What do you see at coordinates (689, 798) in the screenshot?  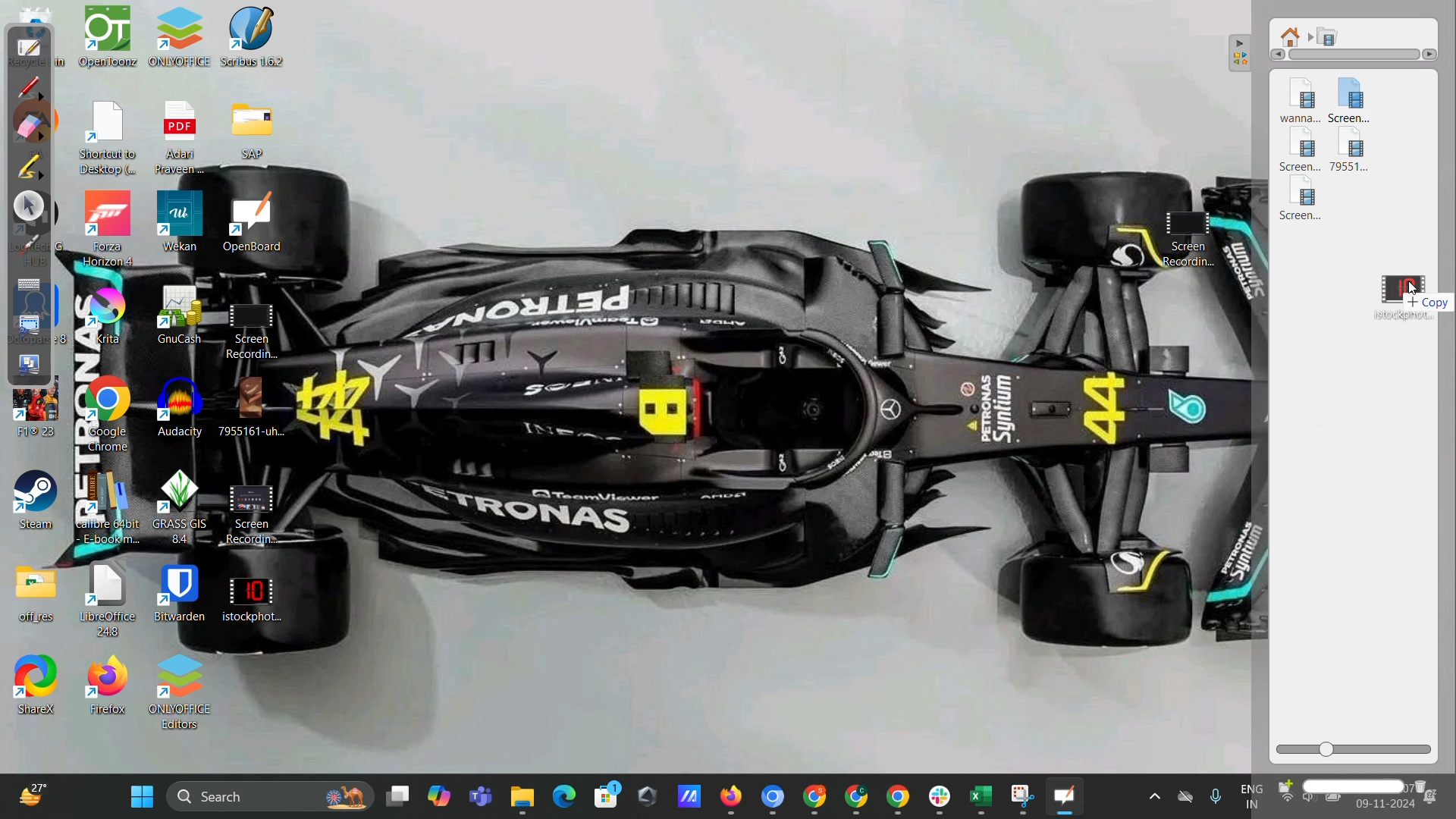 I see `shortcut on desktop taskbar` at bounding box center [689, 798].